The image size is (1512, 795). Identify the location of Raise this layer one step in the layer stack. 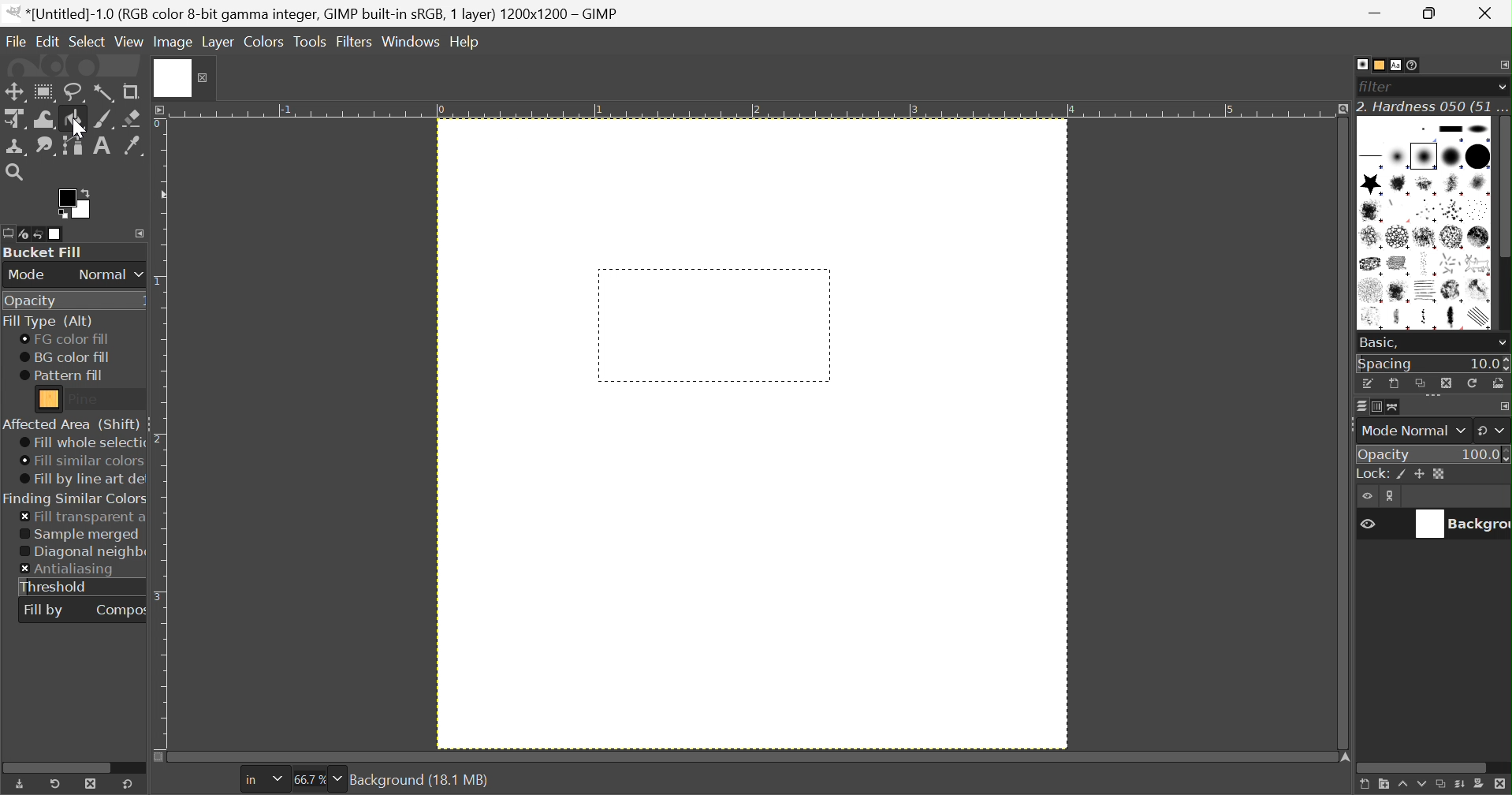
(1402, 786).